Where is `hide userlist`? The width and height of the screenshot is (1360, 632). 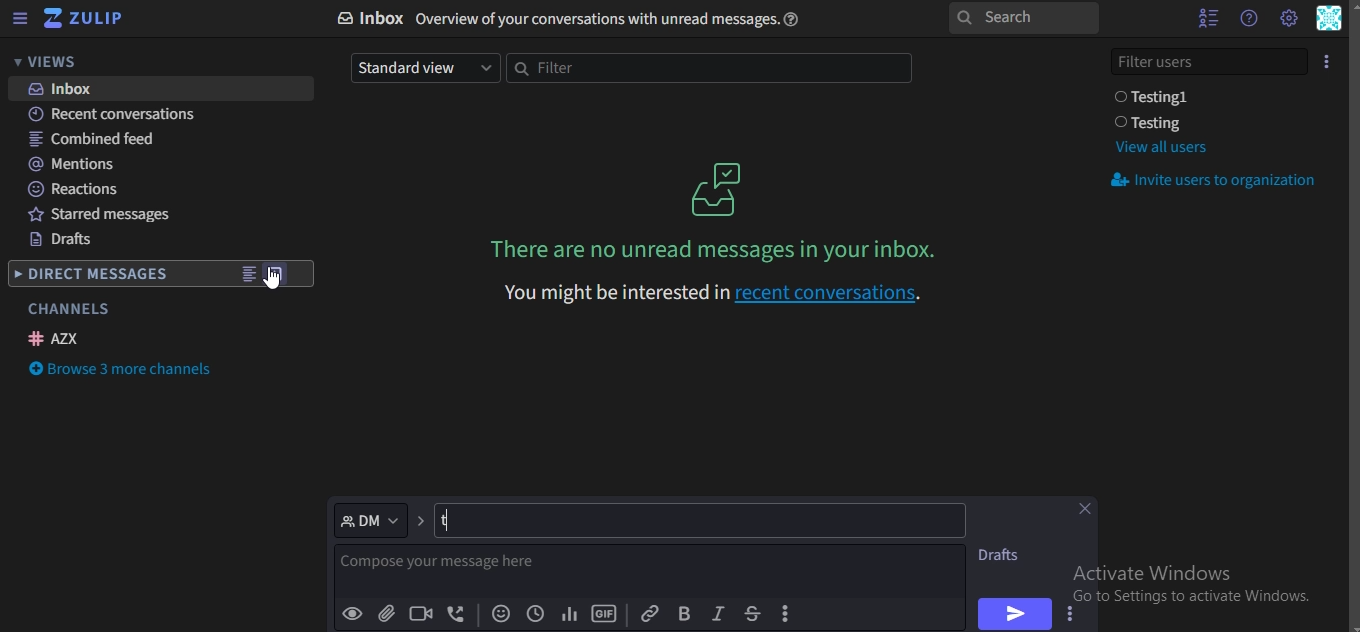
hide userlist is located at coordinates (1203, 18).